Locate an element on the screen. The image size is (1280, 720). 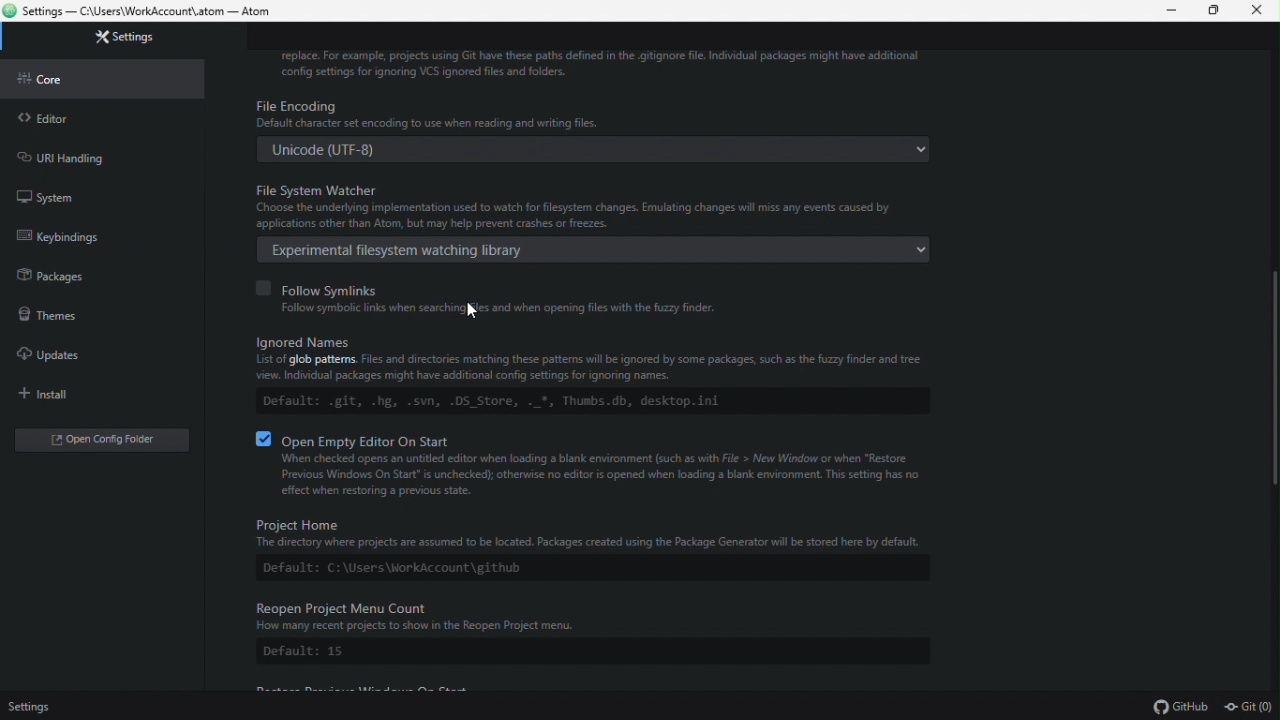
info about ignoring or replacing VCS files is located at coordinates (646, 62).